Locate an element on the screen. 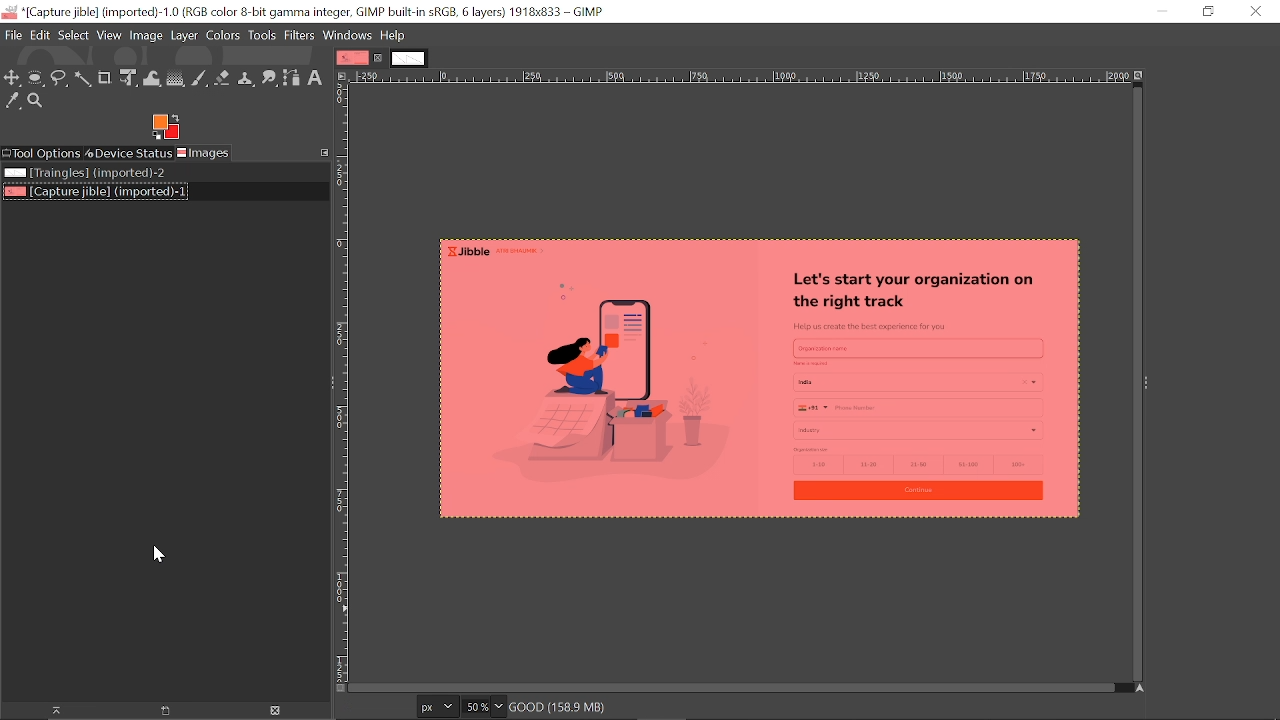 The height and width of the screenshot is (720, 1280). Minimize is located at coordinates (1162, 12).